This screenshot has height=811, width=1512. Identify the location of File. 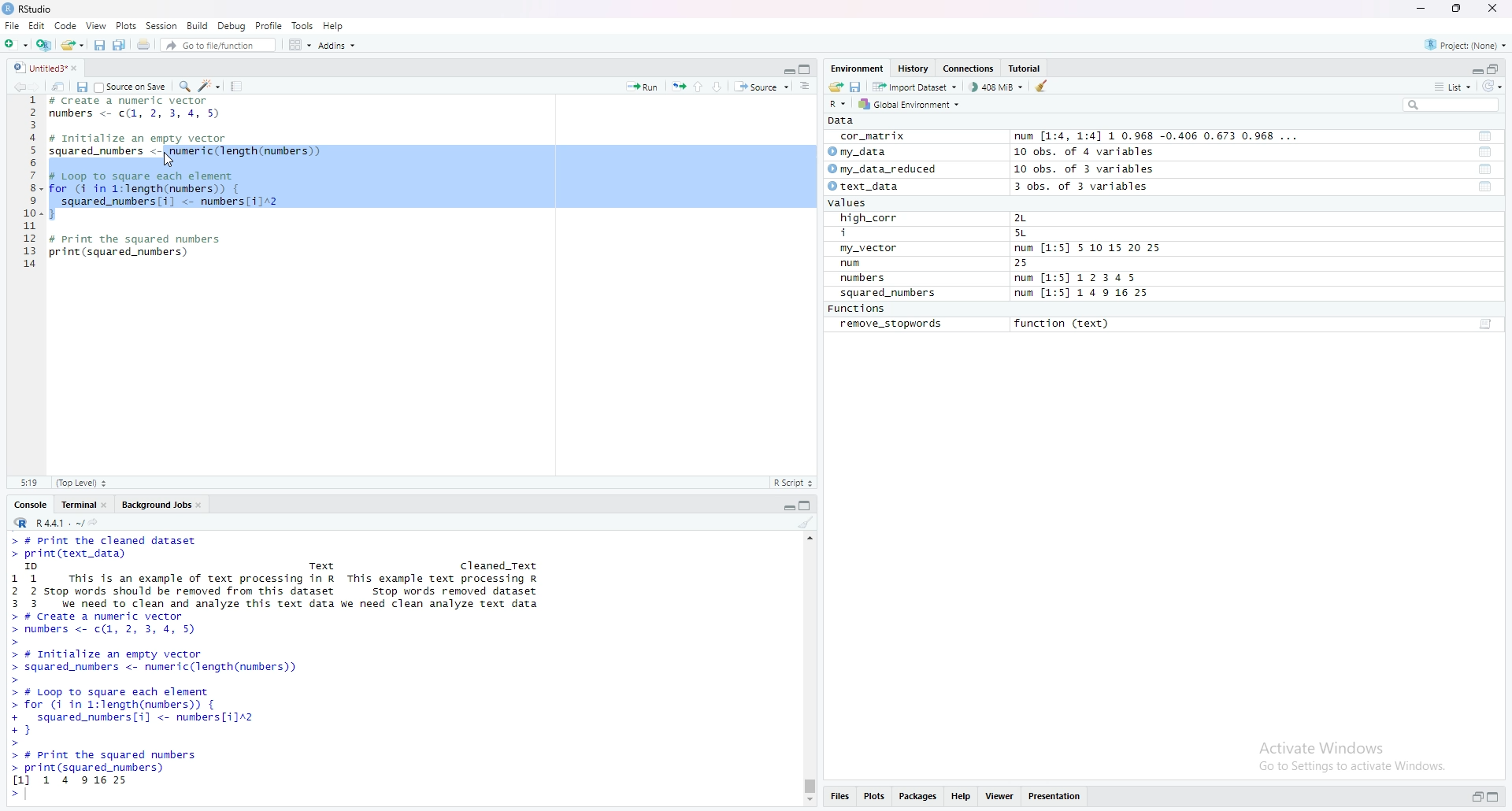
(12, 25).